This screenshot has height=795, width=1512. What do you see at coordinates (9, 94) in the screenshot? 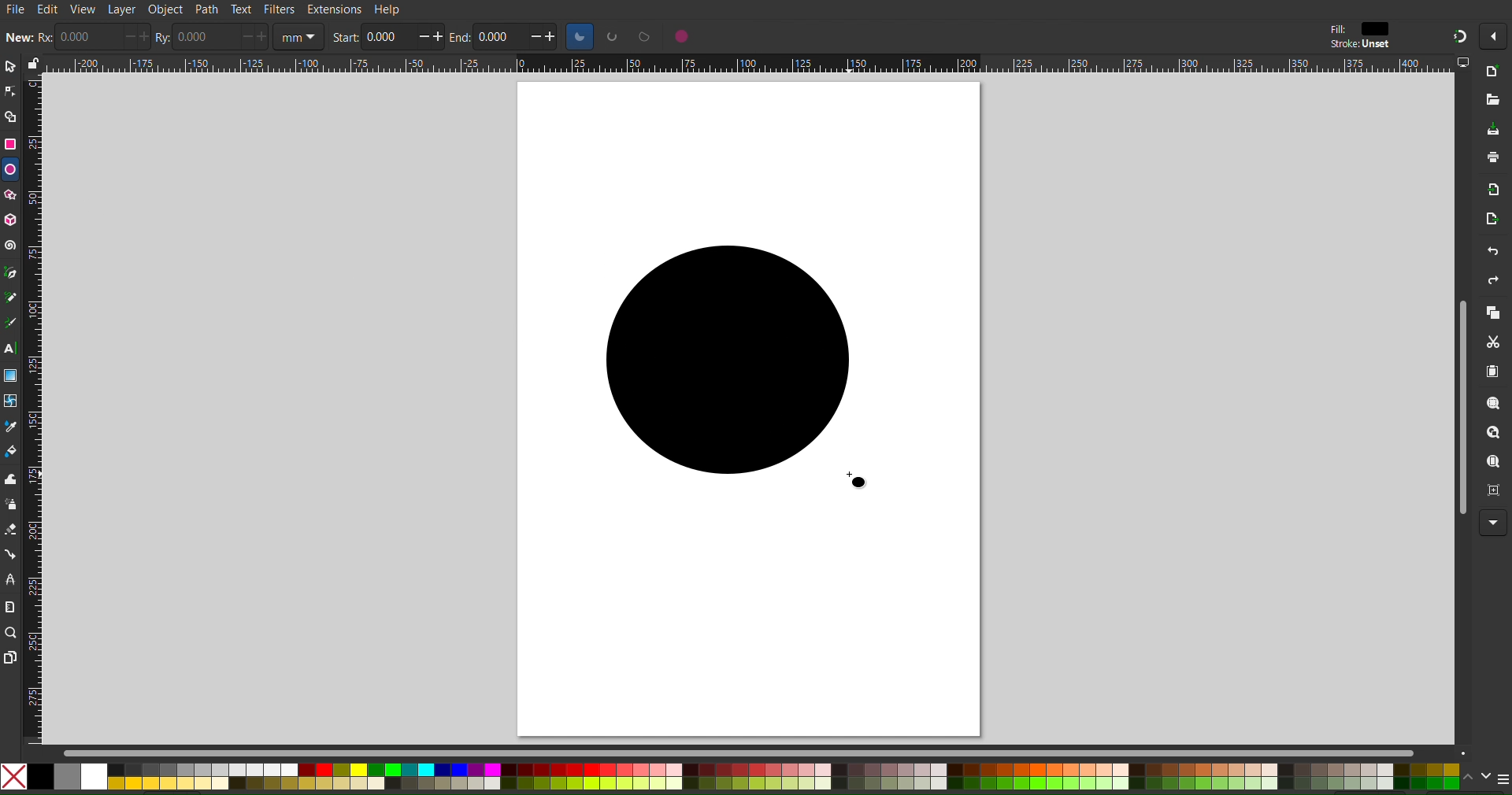
I see `Node Tool` at bounding box center [9, 94].